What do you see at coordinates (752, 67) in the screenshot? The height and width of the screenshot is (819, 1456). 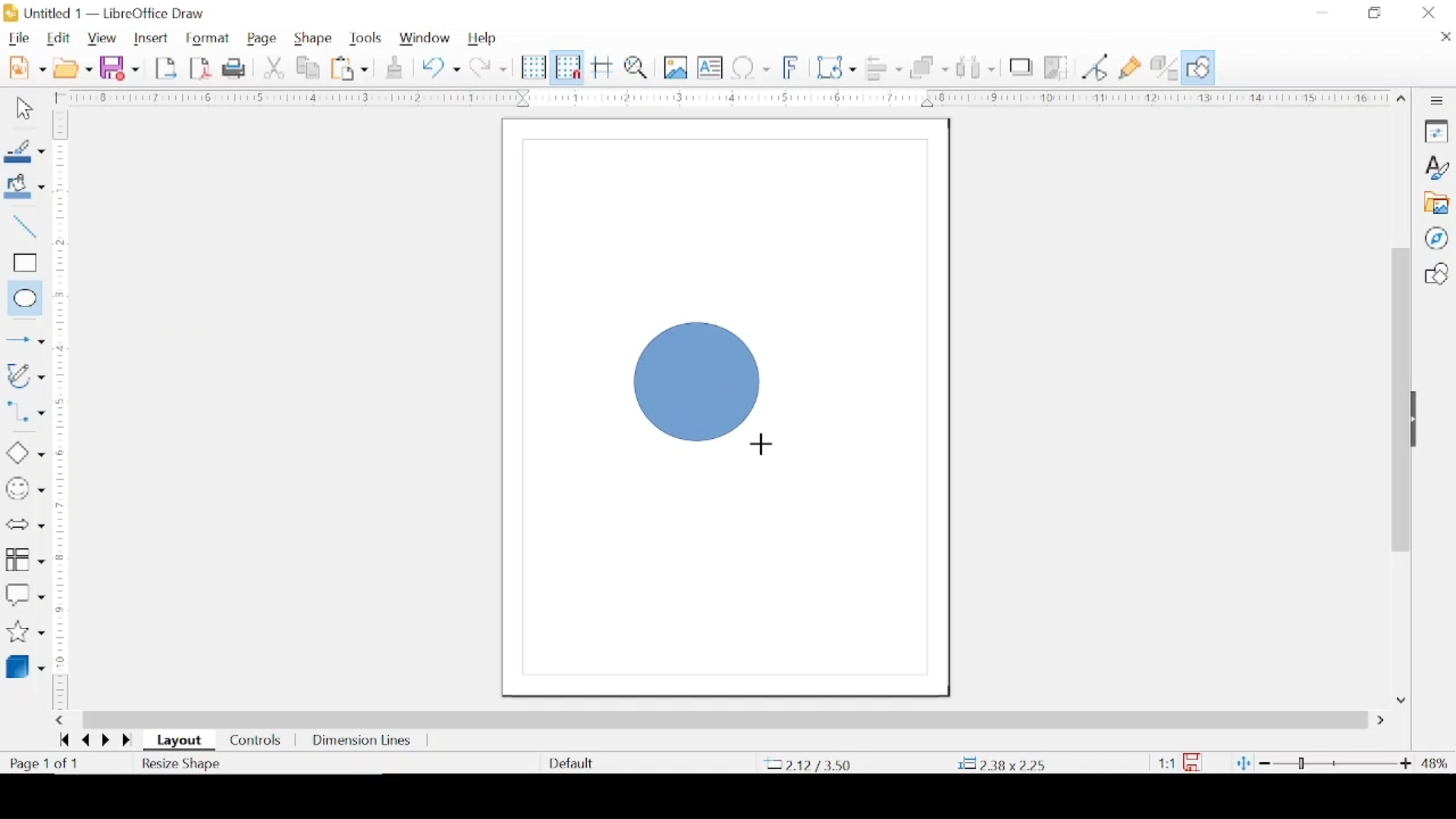 I see `insert special characters` at bounding box center [752, 67].